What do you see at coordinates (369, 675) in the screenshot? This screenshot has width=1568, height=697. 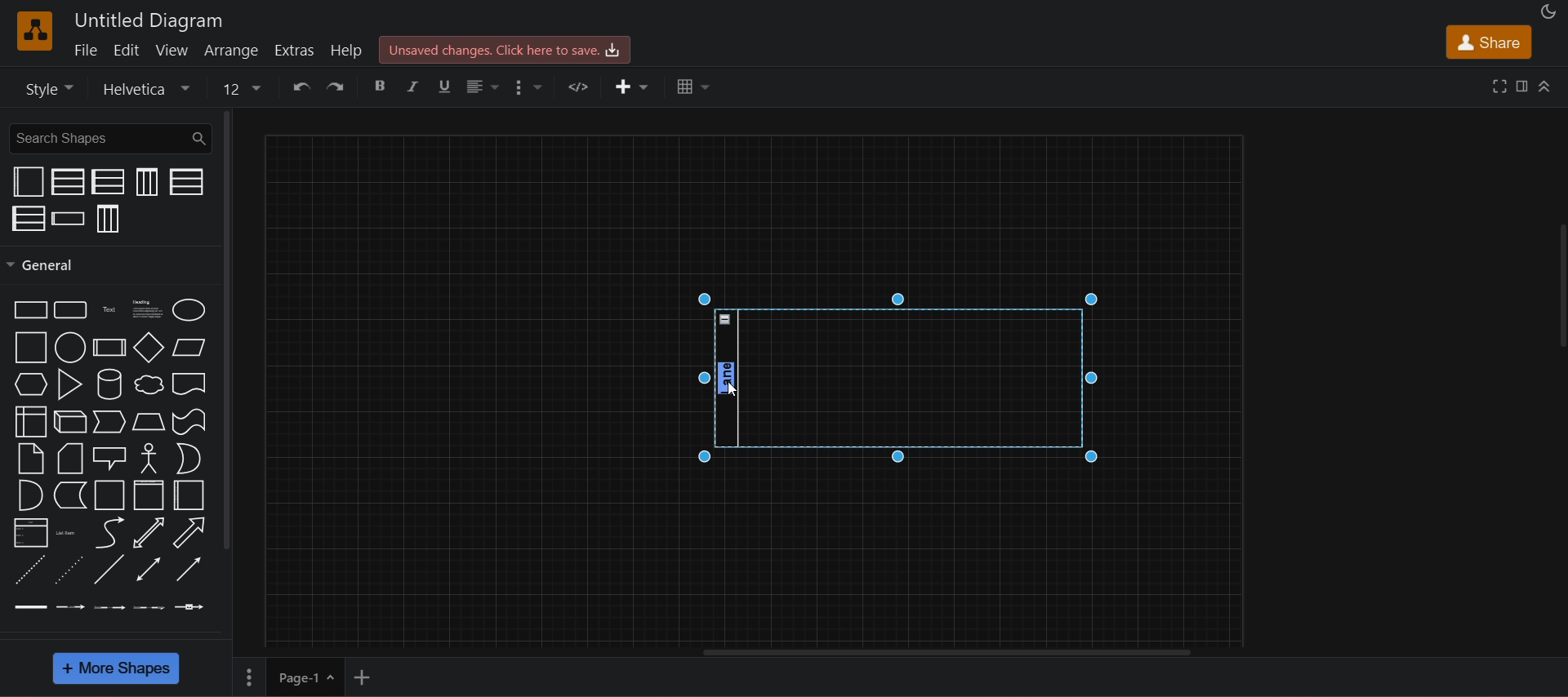 I see `add new page` at bounding box center [369, 675].